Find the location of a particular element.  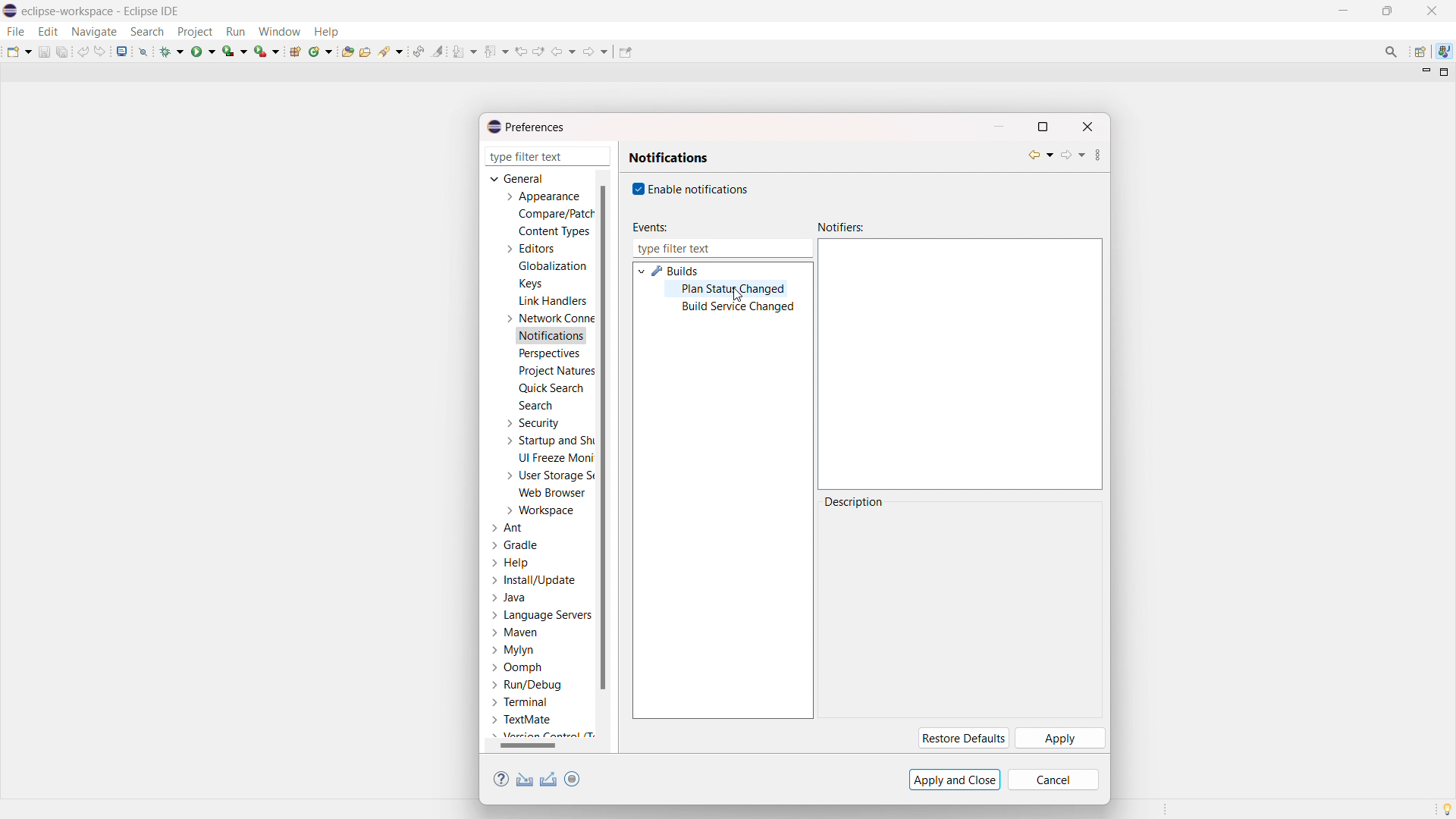

toggle ant mark occurances is located at coordinates (438, 51).